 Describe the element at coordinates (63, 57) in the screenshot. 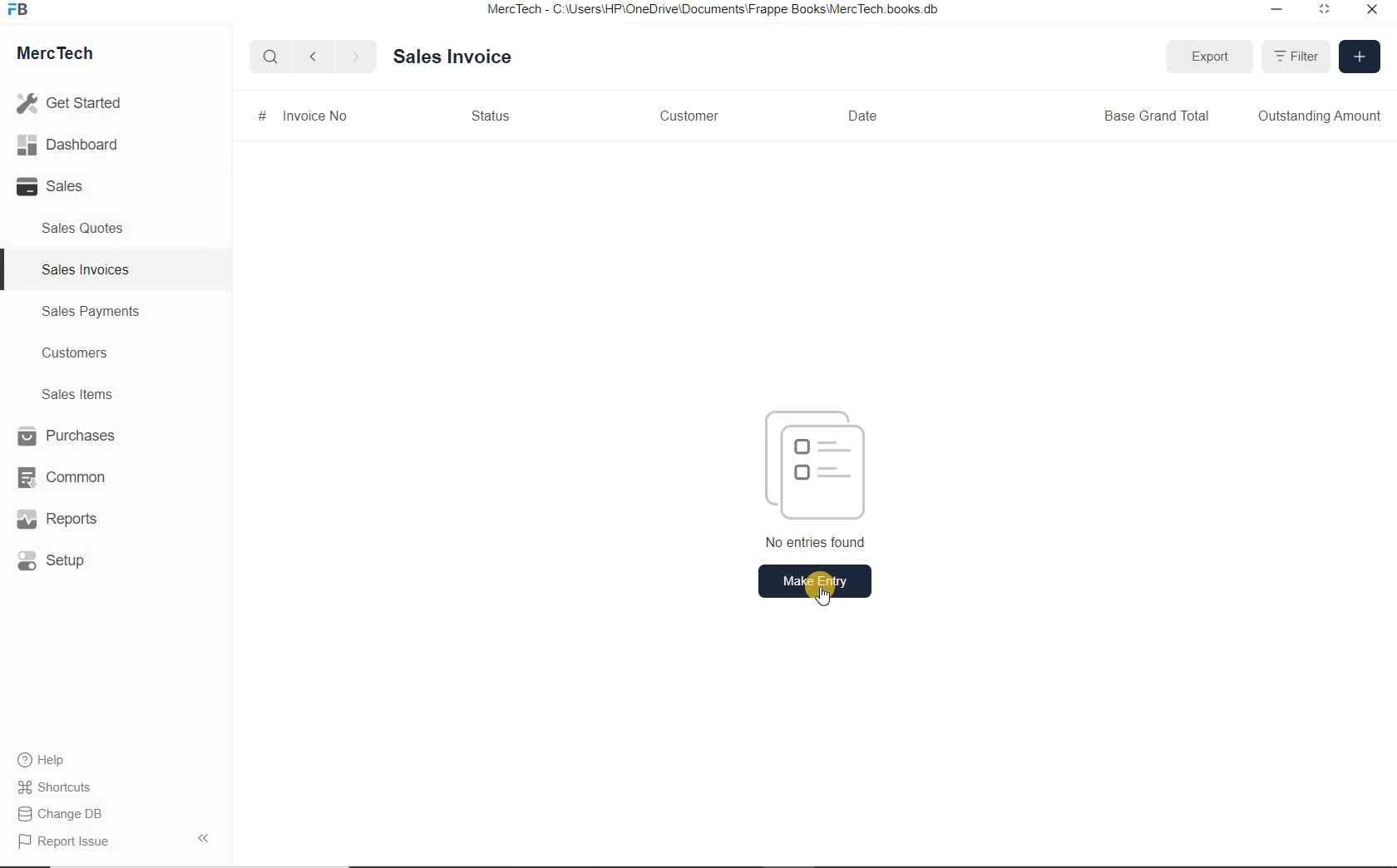

I see `MercTech` at that location.